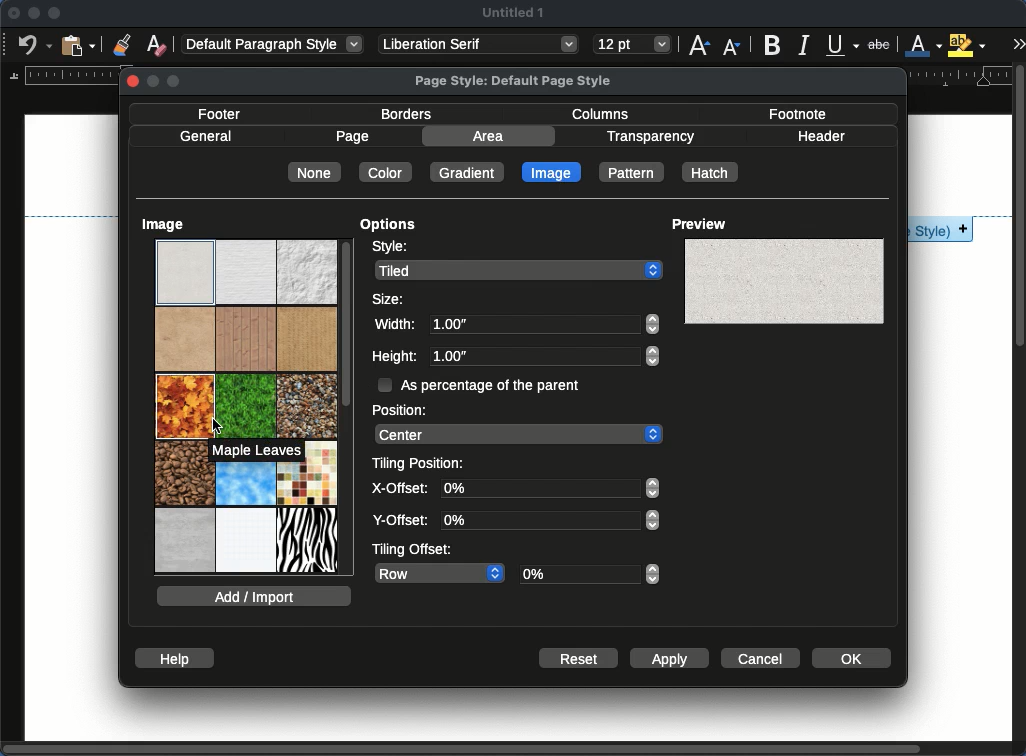 The image size is (1026, 756). What do you see at coordinates (842, 42) in the screenshot?
I see `underline` at bounding box center [842, 42].